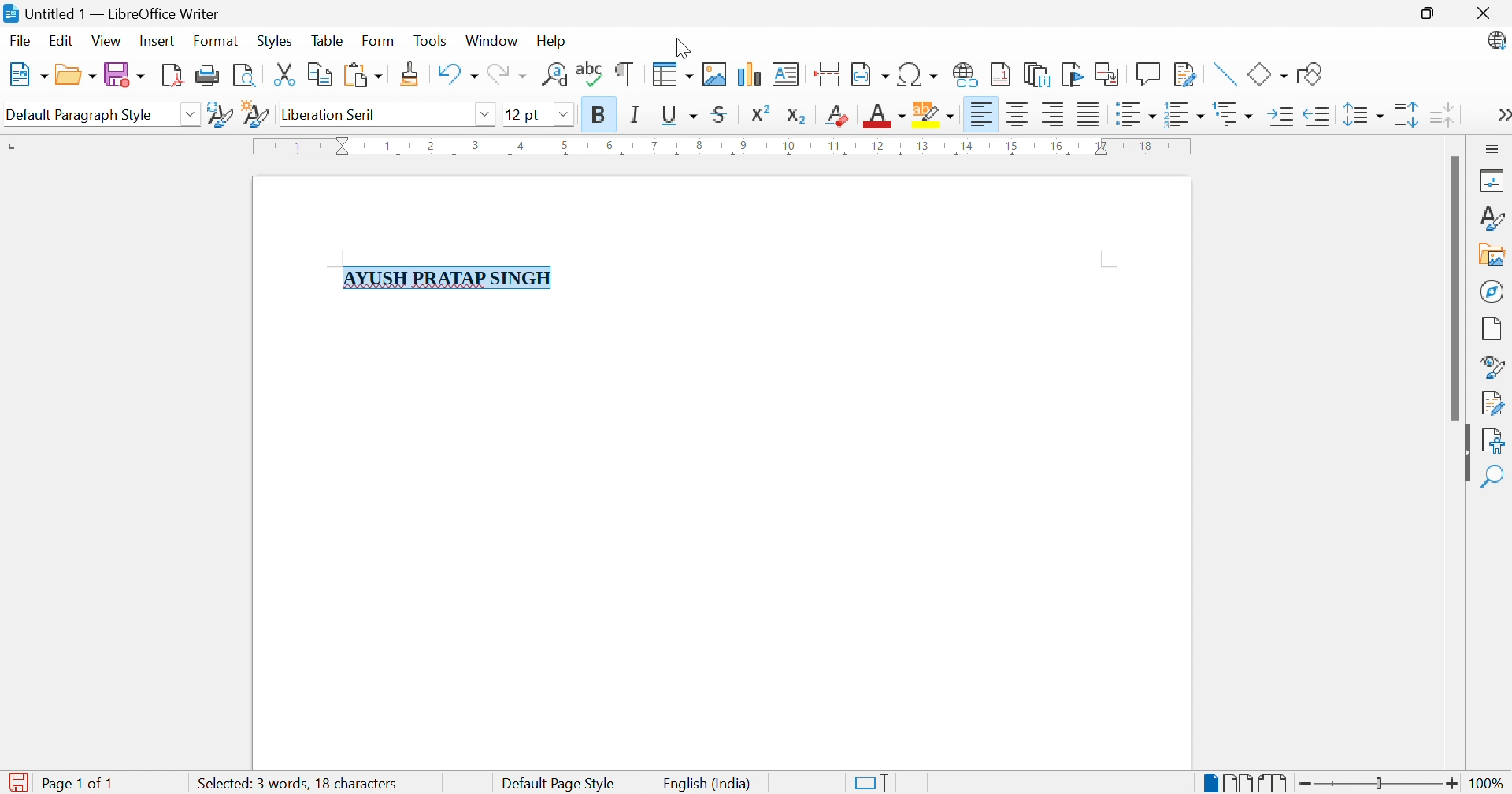 This screenshot has width=1512, height=794. Describe the element at coordinates (679, 116) in the screenshot. I see `Underline` at that location.